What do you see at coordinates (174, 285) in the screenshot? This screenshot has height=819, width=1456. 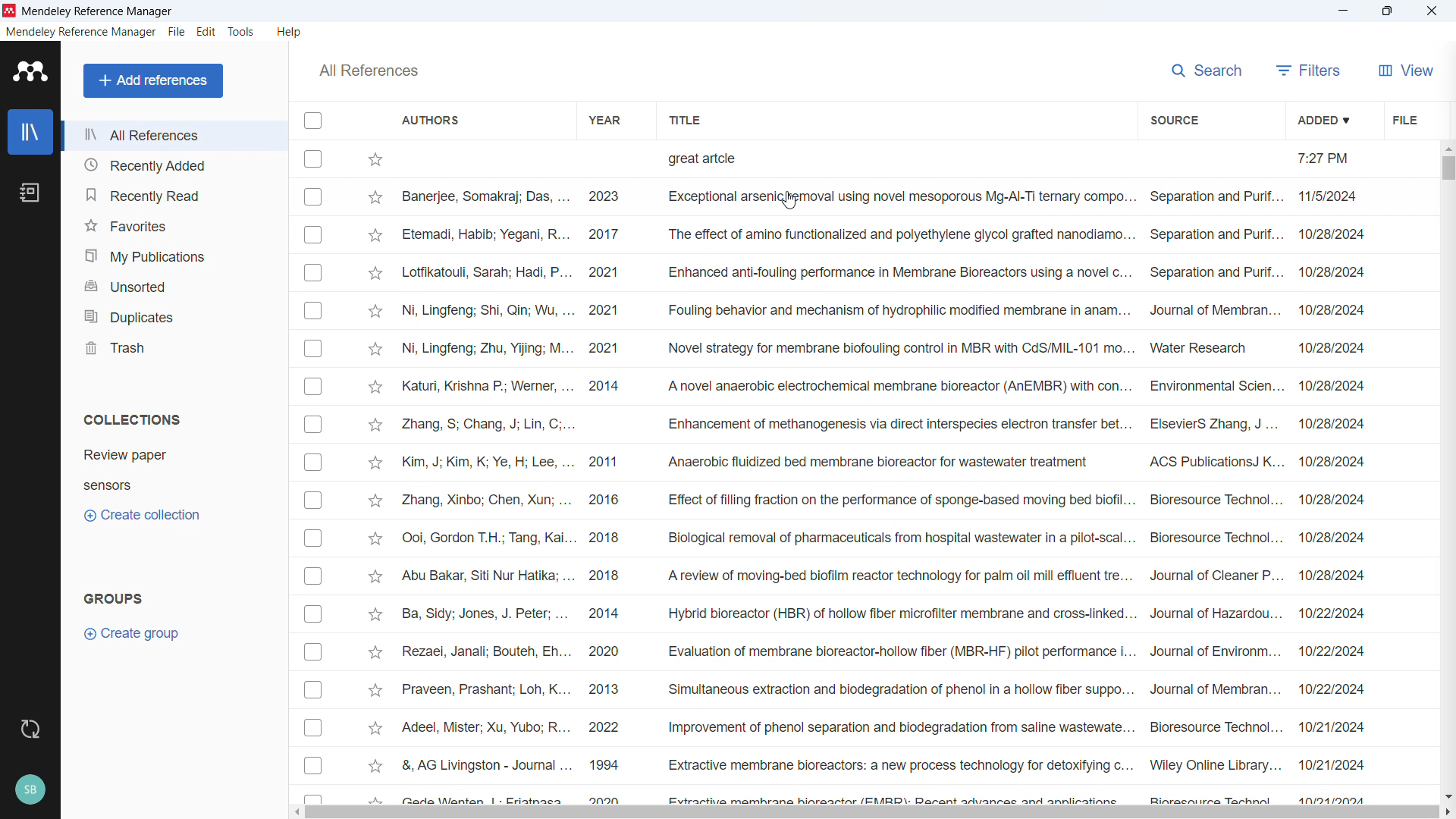 I see `Unsorted ` at bounding box center [174, 285].